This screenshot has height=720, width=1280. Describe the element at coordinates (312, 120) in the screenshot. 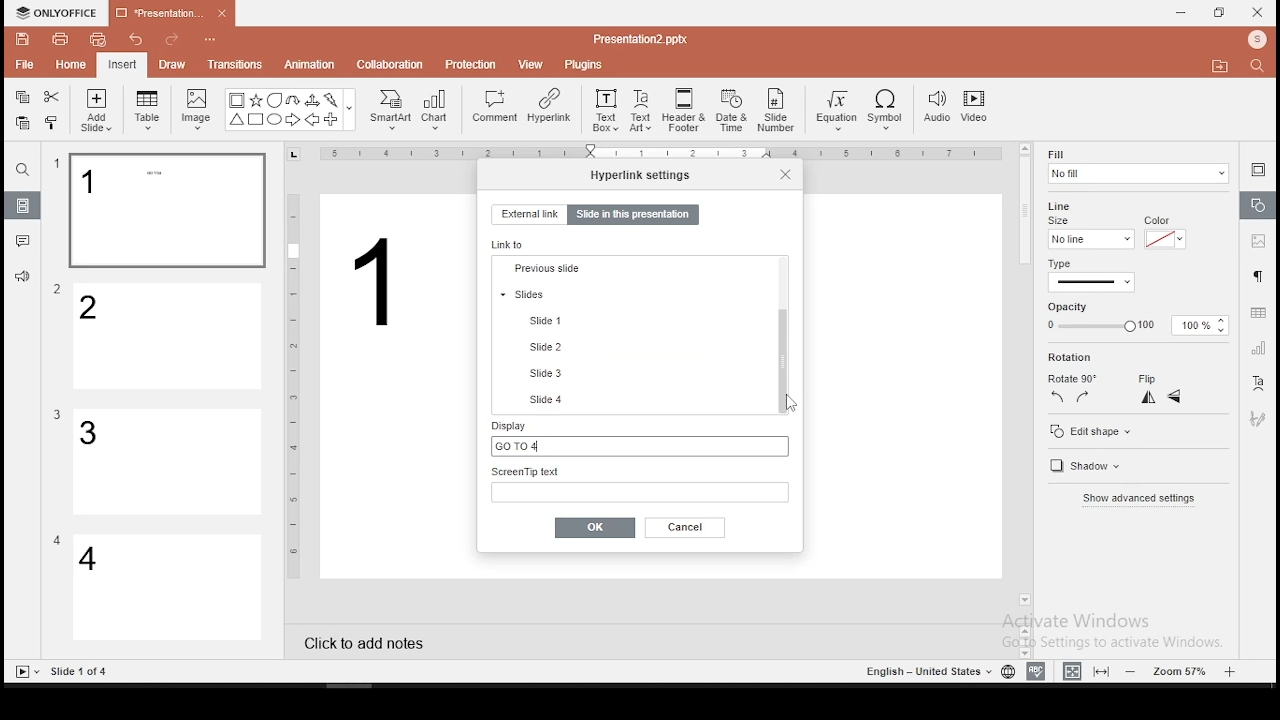

I see `Arrow Left` at that location.